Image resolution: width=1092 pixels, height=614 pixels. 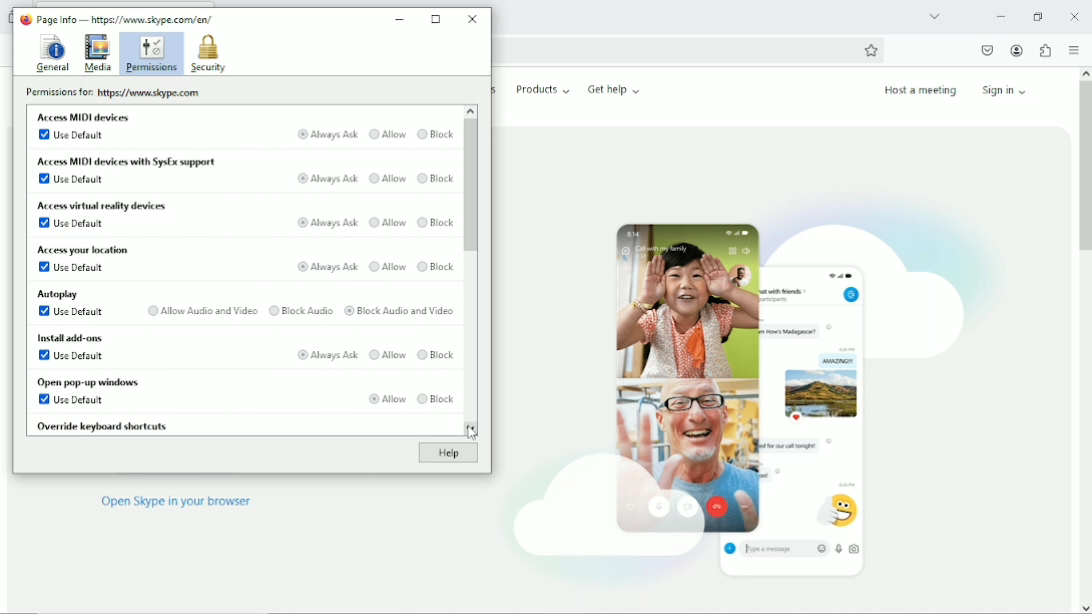 What do you see at coordinates (104, 207) in the screenshot?
I see `Access virtual reality devices` at bounding box center [104, 207].